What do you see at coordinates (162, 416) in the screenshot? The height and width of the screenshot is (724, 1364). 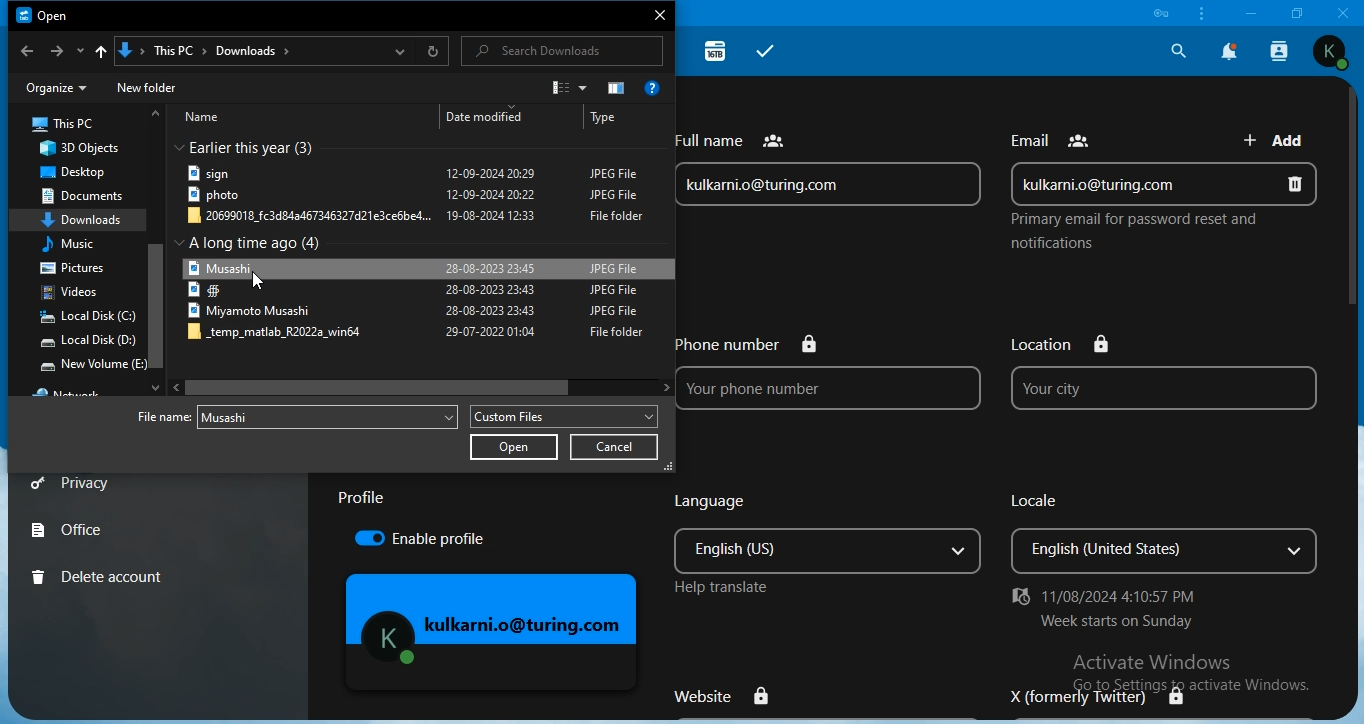 I see `Filename` at bounding box center [162, 416].